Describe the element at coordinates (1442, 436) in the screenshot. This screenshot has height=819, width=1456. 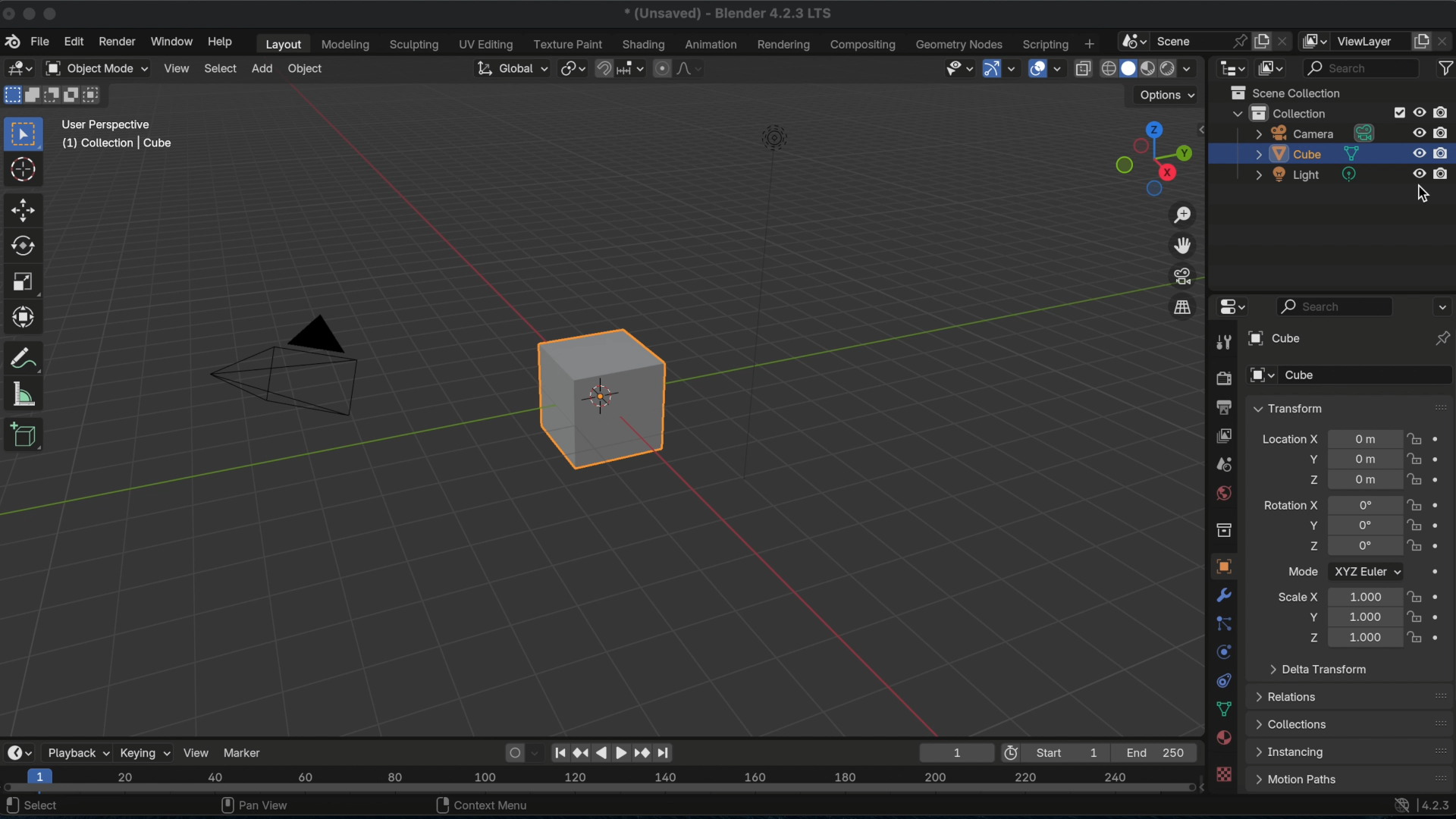
I see `animate property` at that location.